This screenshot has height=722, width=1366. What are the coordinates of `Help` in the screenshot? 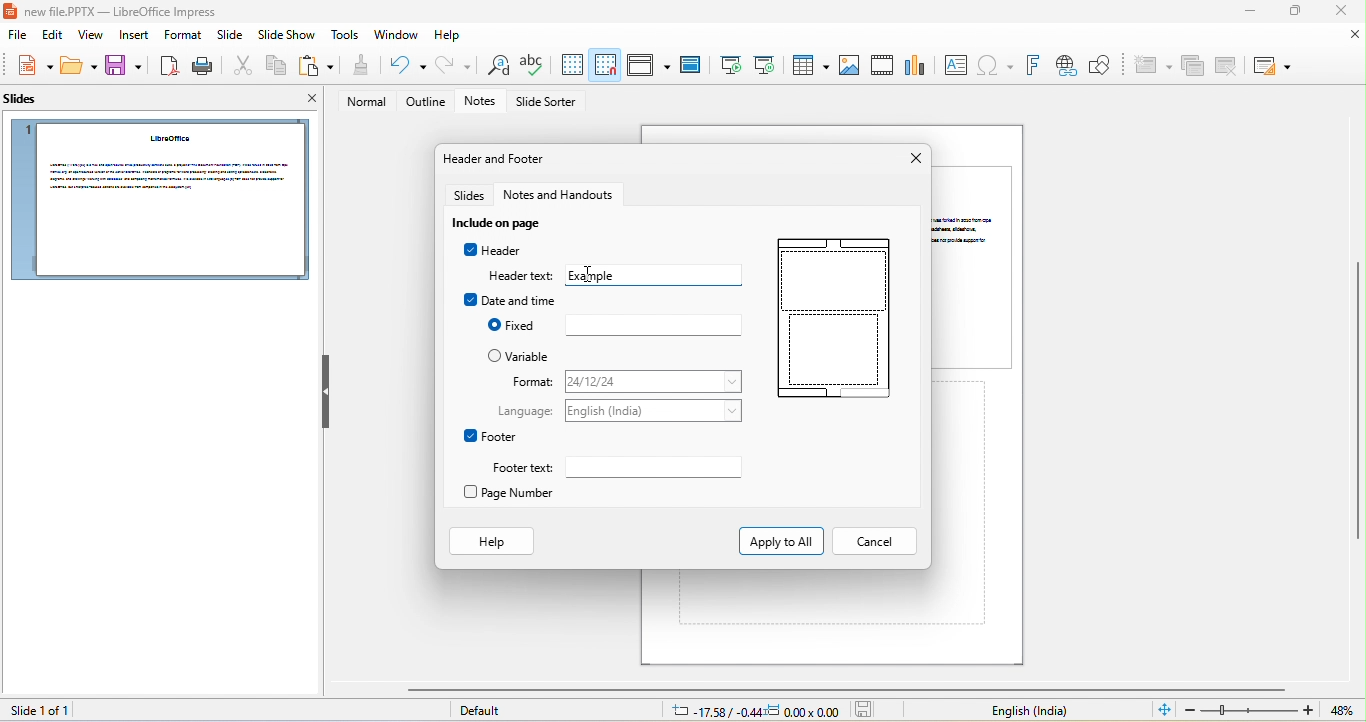 It's located at (491, 541).